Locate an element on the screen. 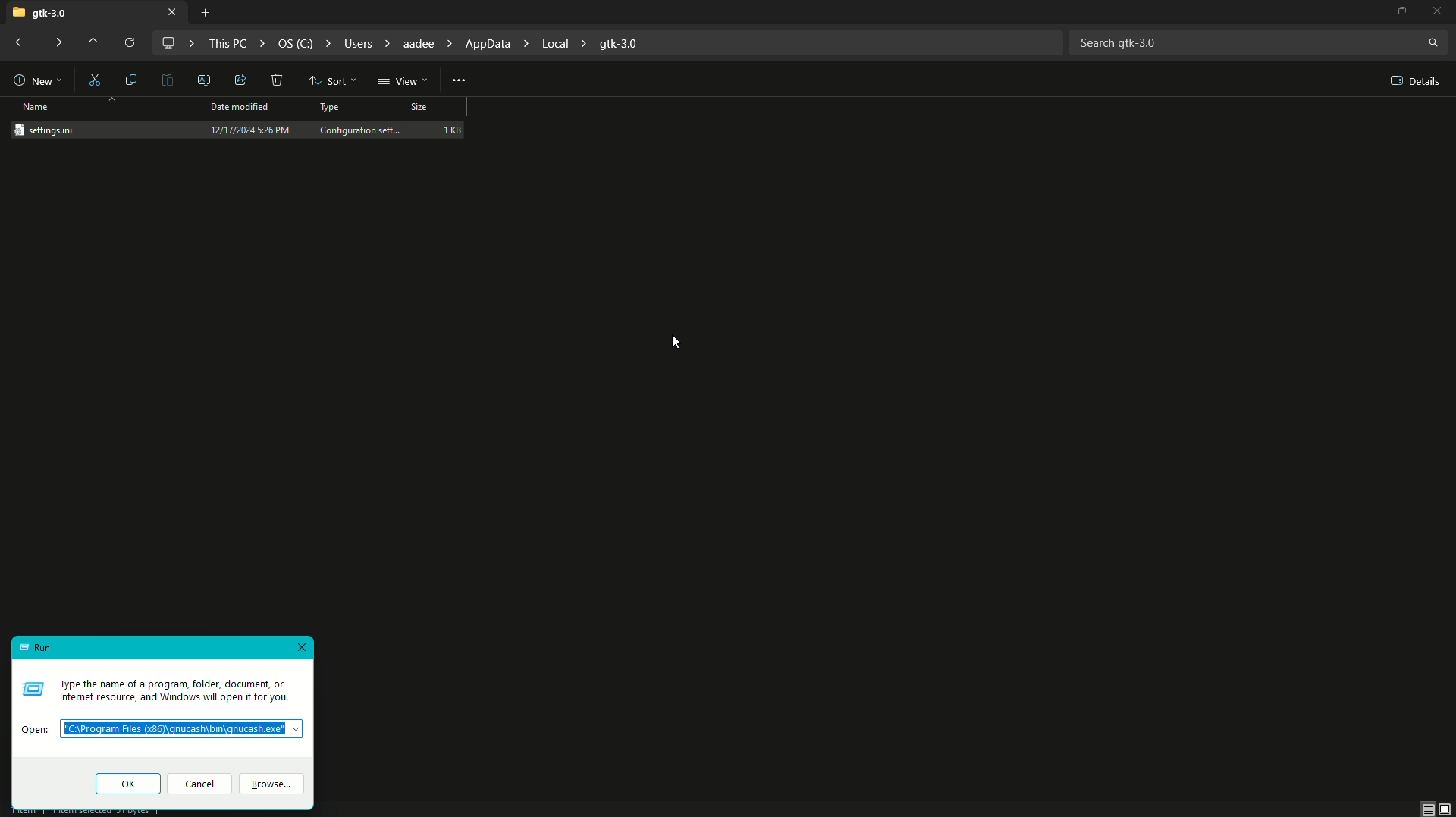 The width and height of the screenshot is (1456, 817). Copy is located at coordinates (131, 80).